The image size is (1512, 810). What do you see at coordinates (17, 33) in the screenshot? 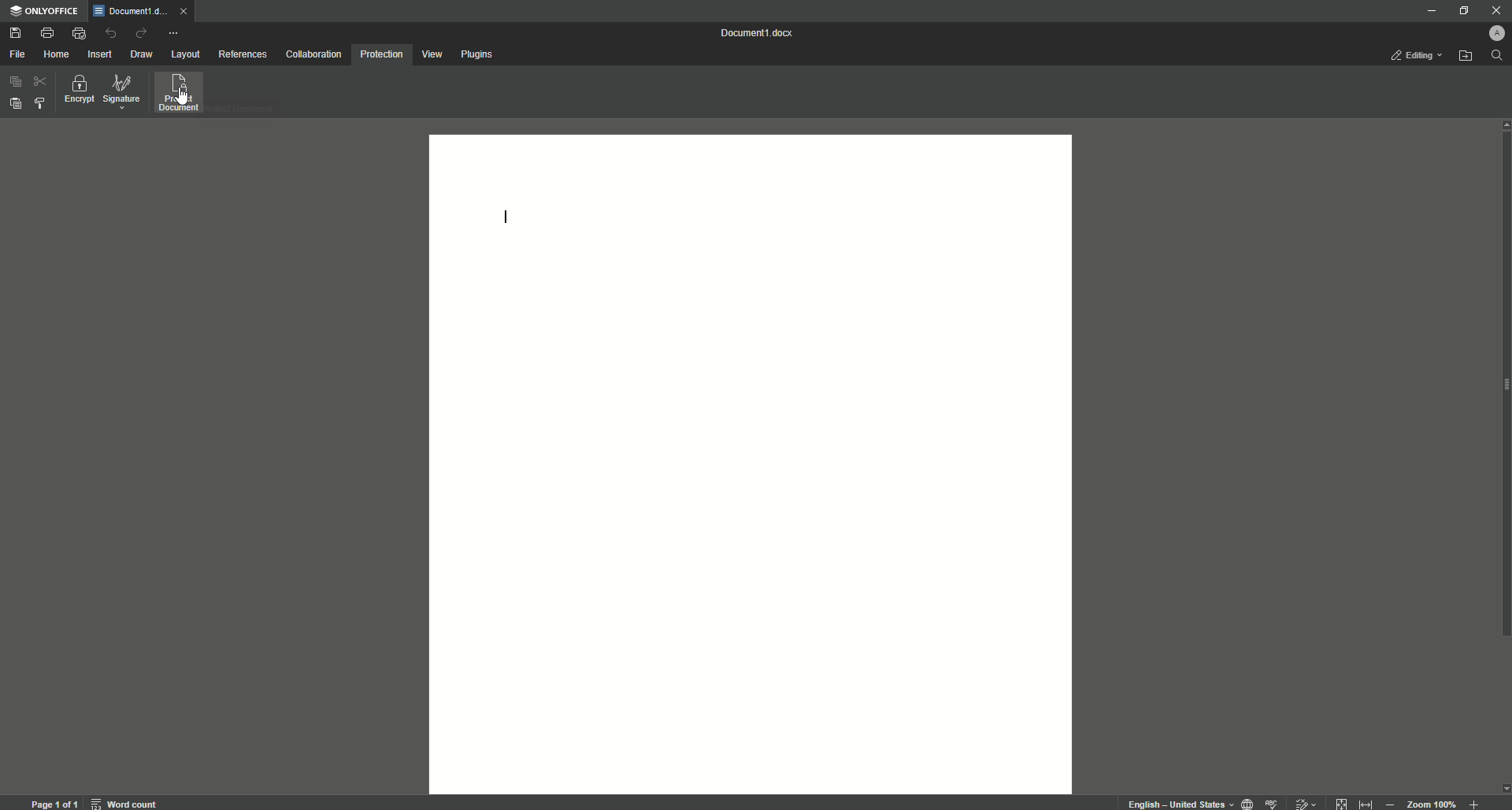
I see `Save` at bounding box center [17, 33].